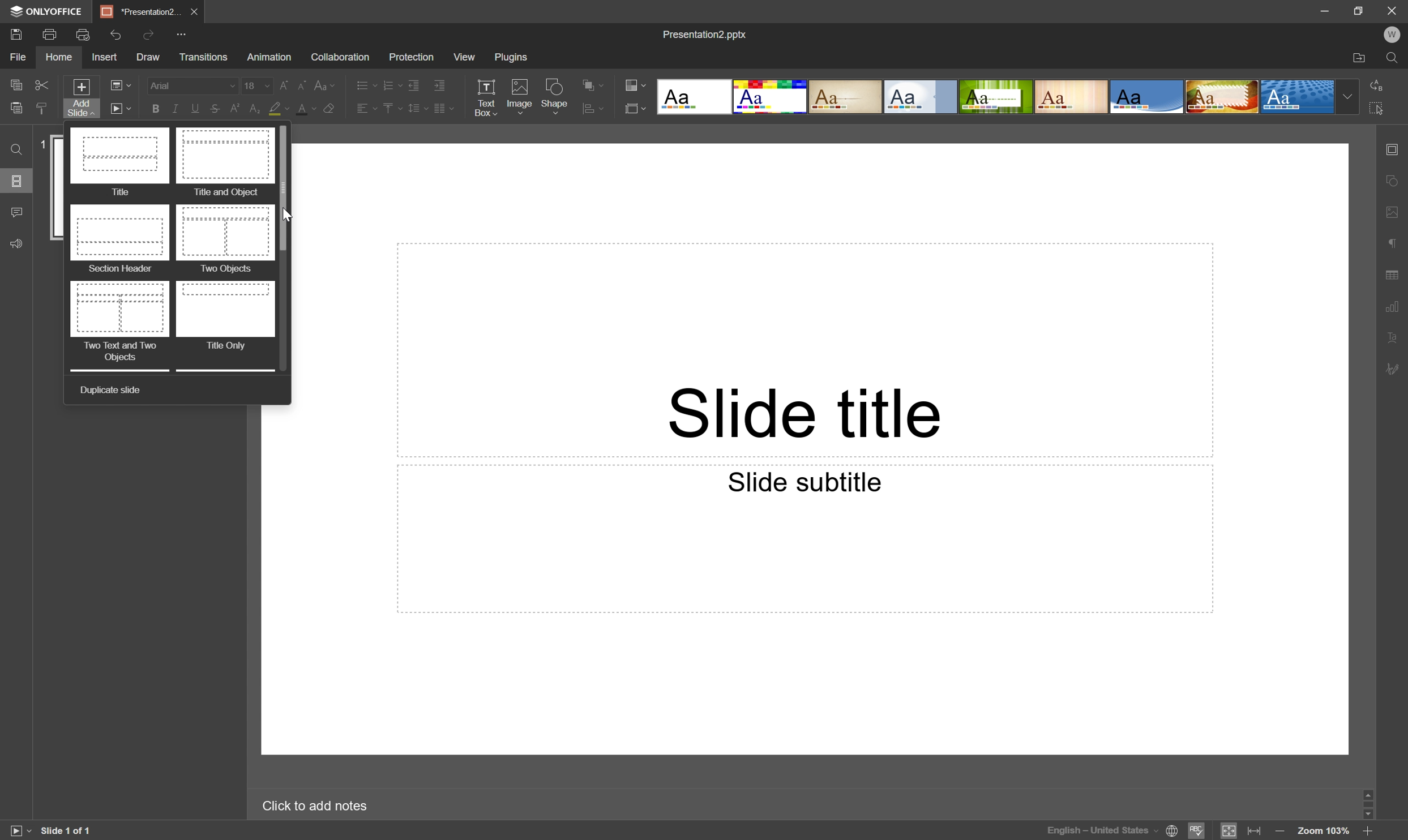 The height and width of the screenshot is (840, 1408). Describe the element at coordinates (257, 107) in the screenshot. I see `Subscript` at that location.